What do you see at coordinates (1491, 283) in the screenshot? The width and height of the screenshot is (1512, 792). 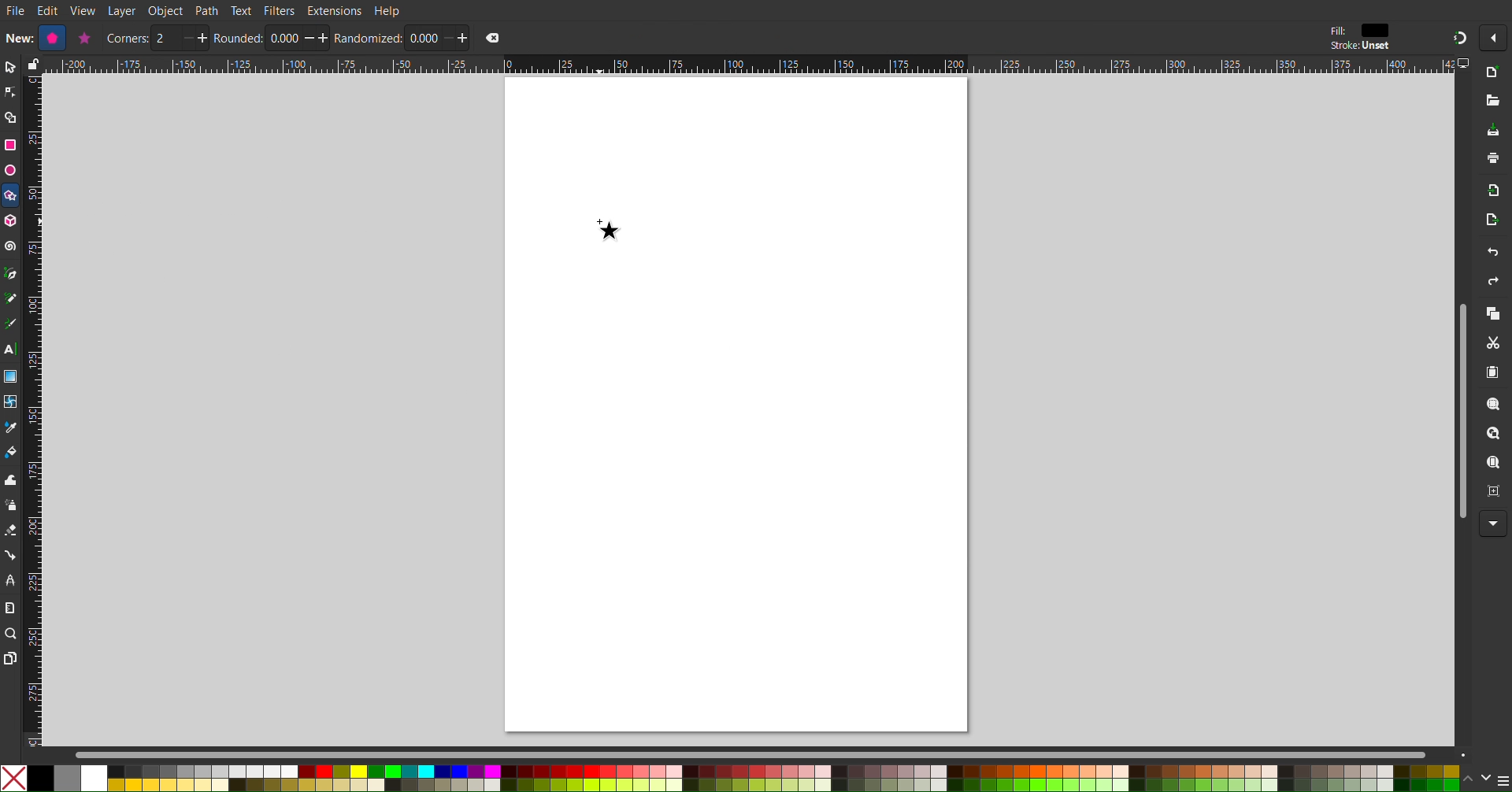 I see `Redo` at bounding box center [1491, 283].